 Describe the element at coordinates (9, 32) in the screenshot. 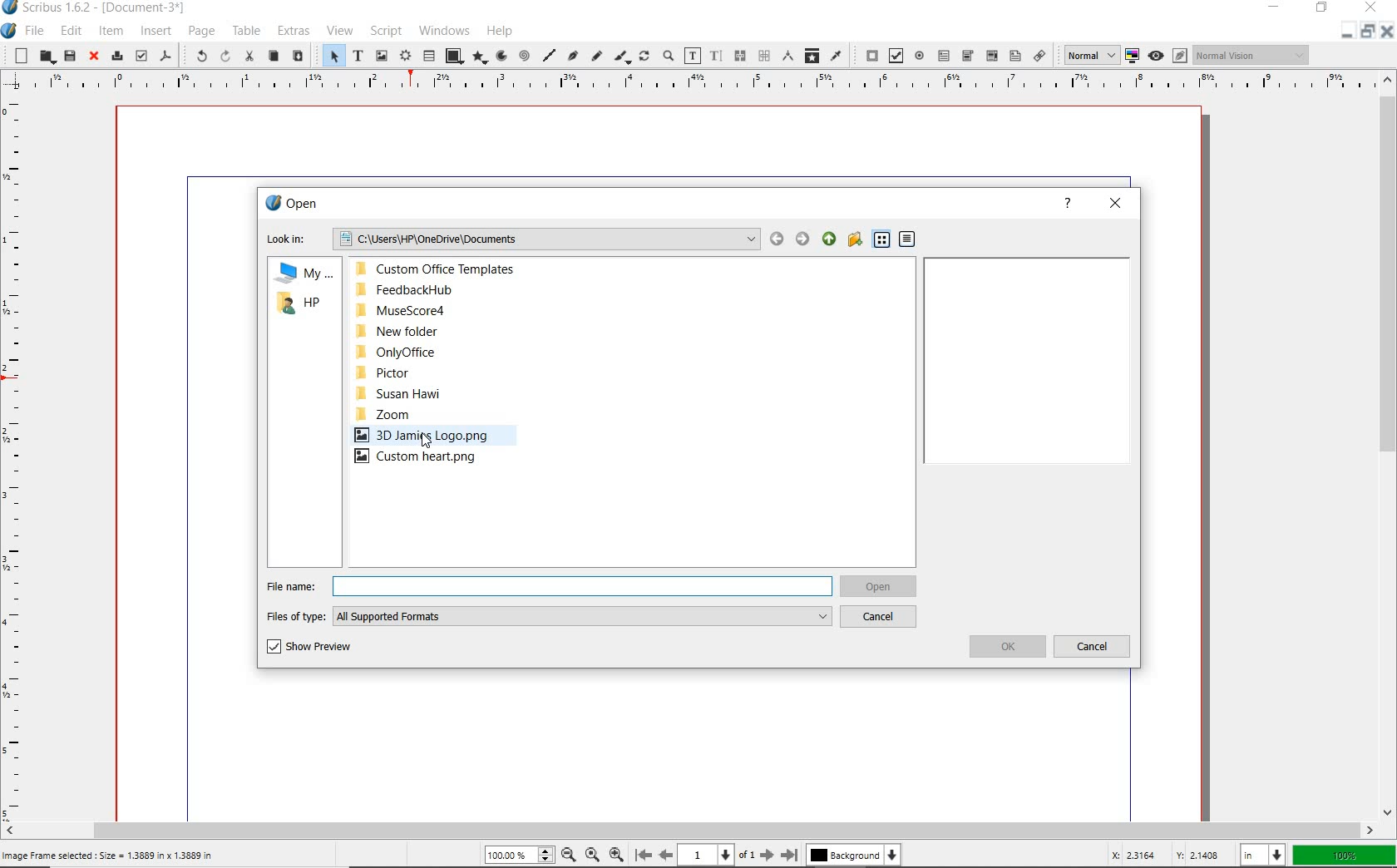

I see `SYSTEM ICON` at that location.